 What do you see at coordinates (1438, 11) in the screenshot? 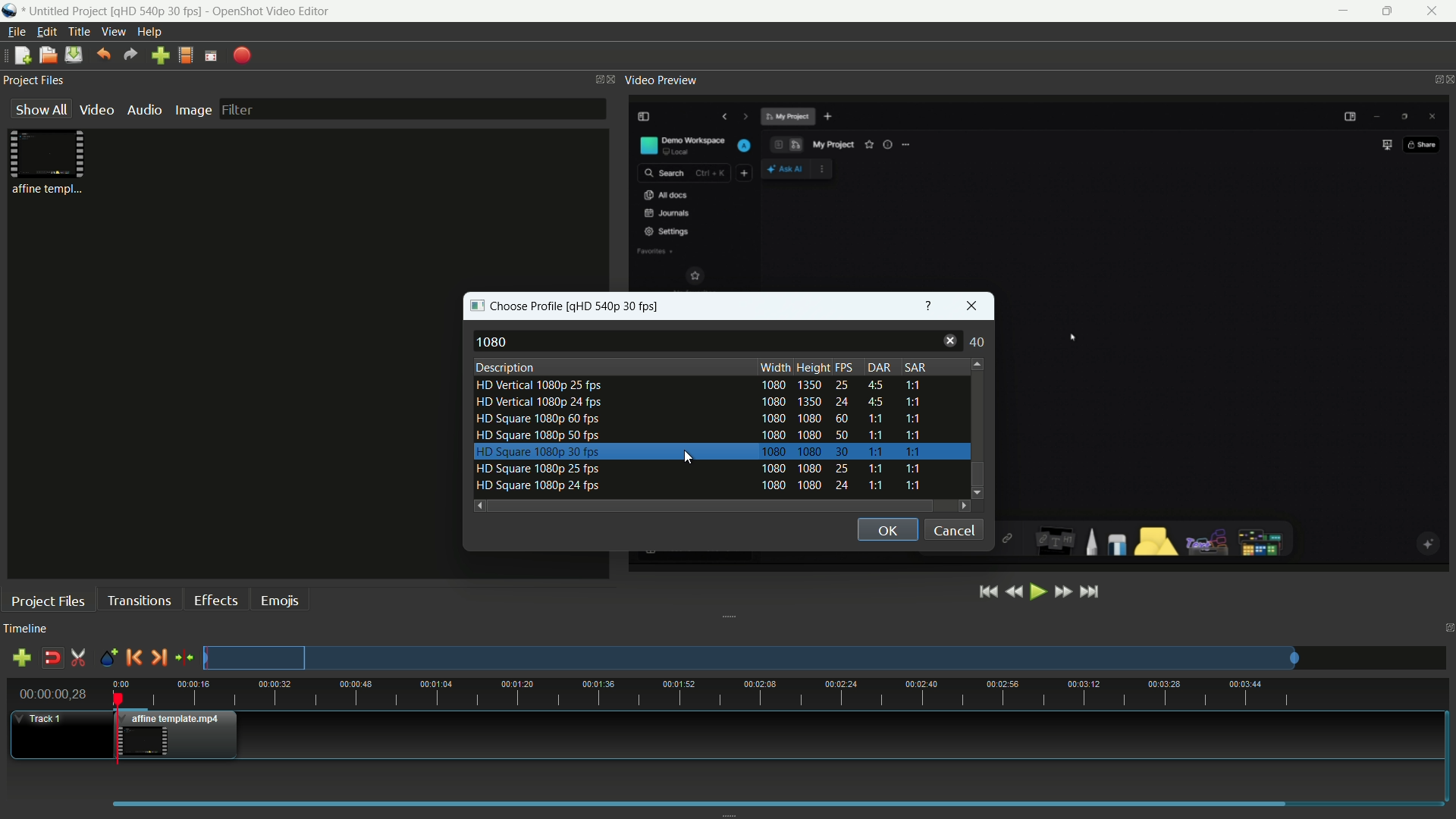
I see `close app` at bounding box center [1438, 11].